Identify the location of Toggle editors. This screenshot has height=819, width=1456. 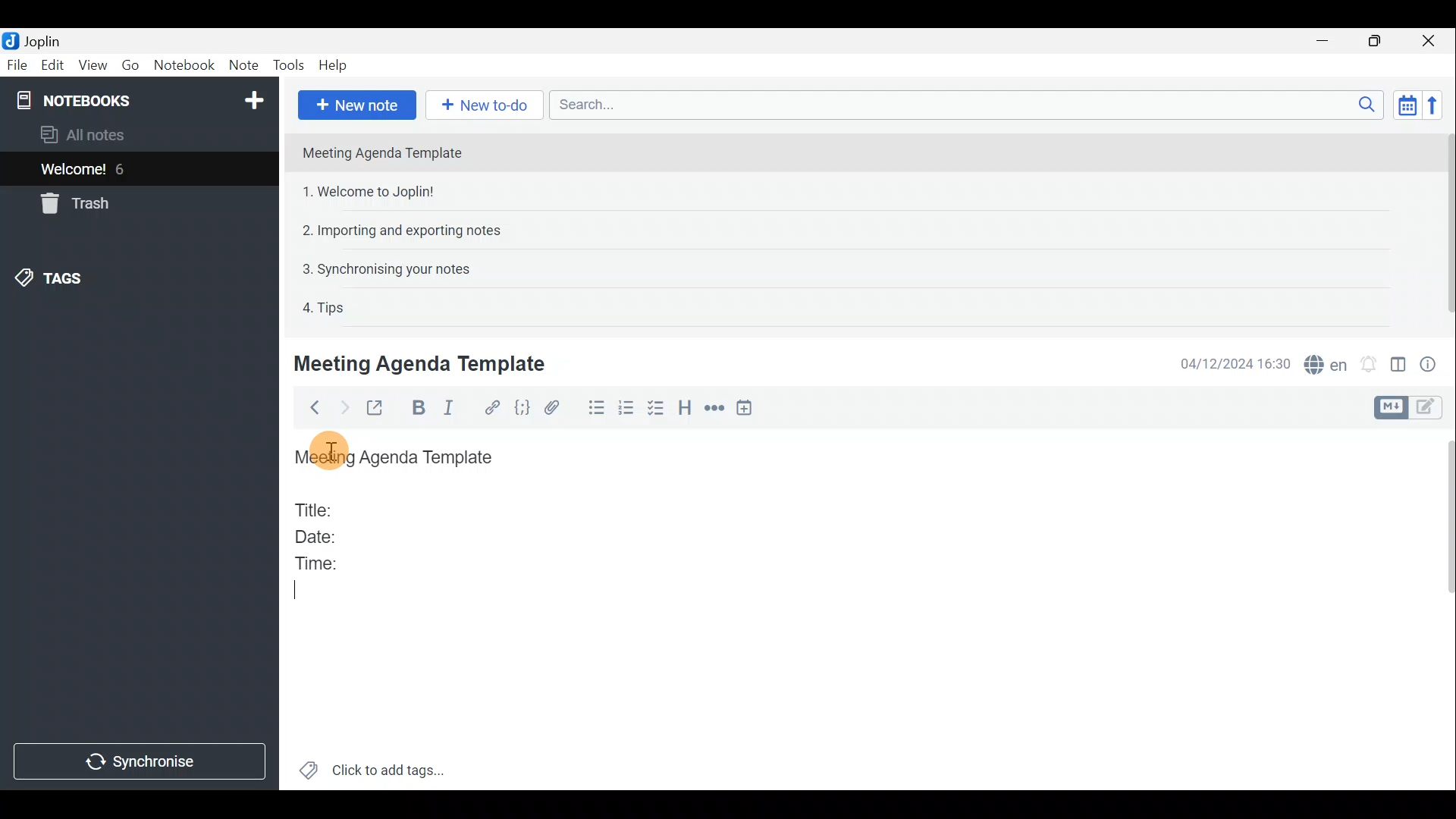
(1429, 409).